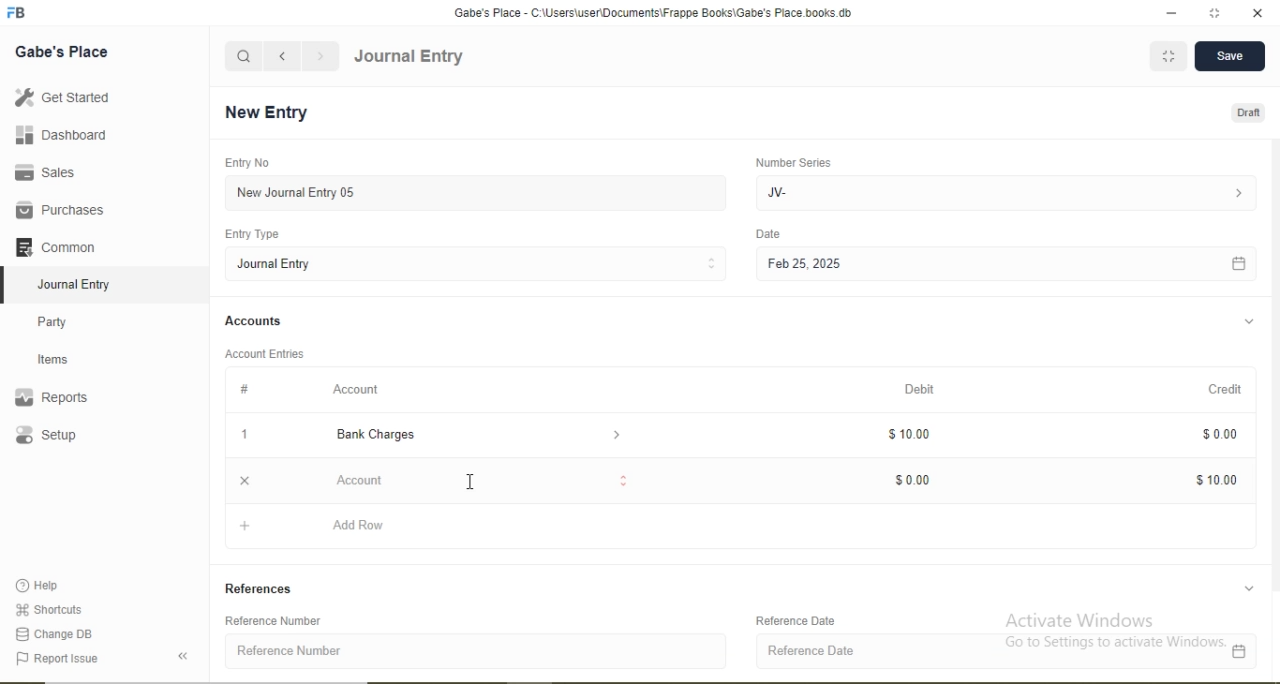 The image size is (1280, 684). Describe the element at coordinates (263, 352) in the screenshot. I see `Account Entries` at that location.